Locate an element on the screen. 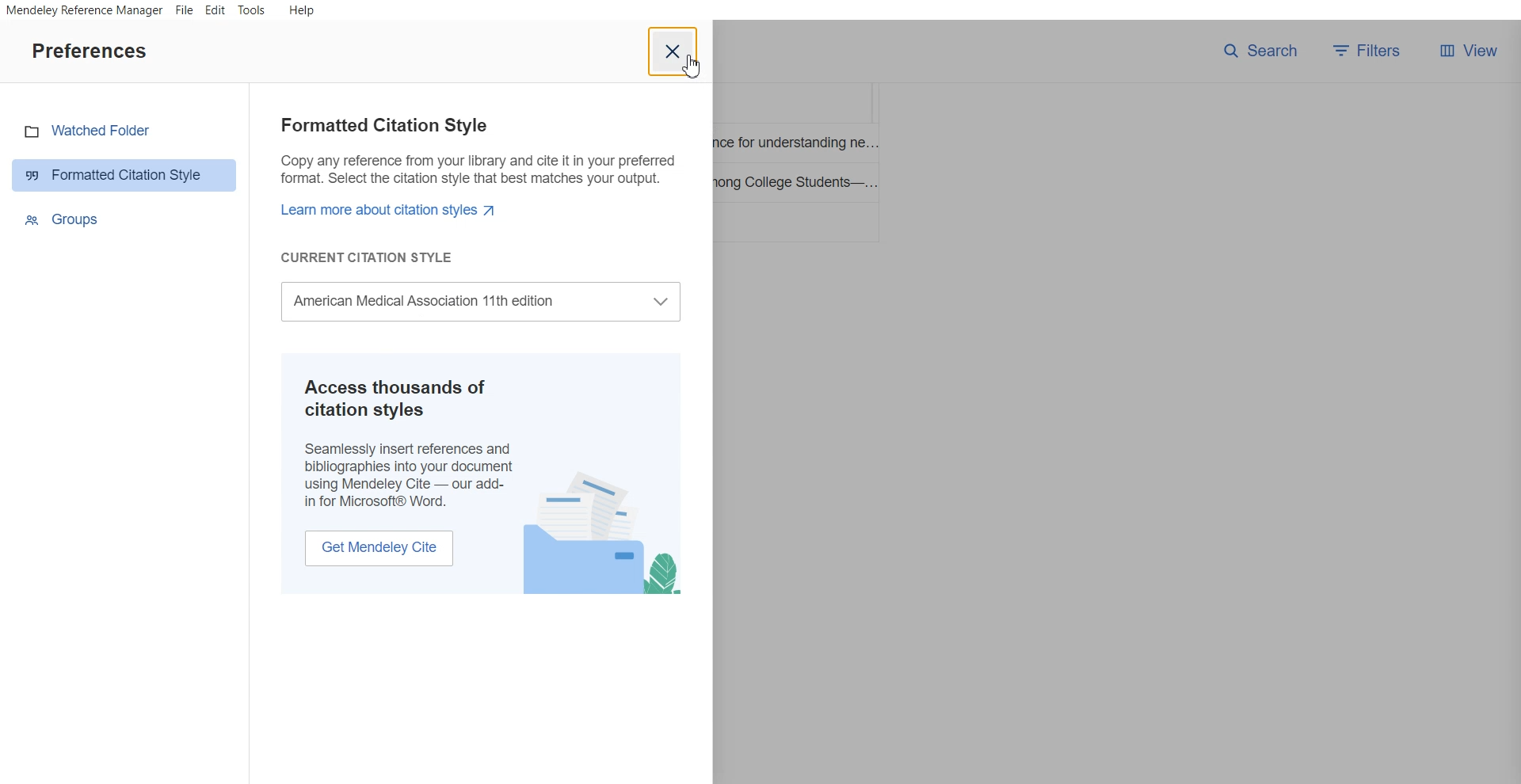 This screenshot has width=1521, height=784. Tools is located at coordinates (252, 11).